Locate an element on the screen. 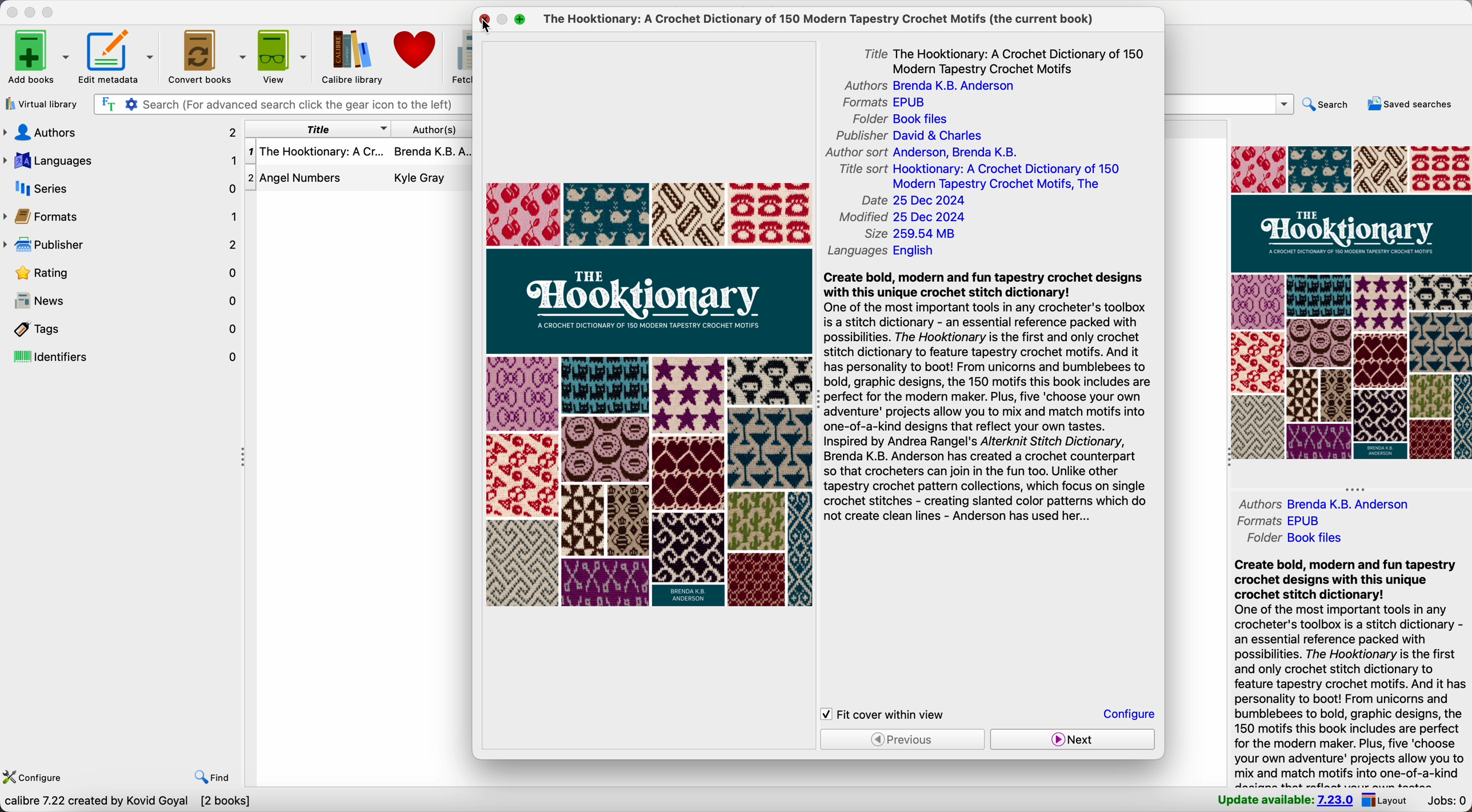  update available is located at coordinates (1285, 798).